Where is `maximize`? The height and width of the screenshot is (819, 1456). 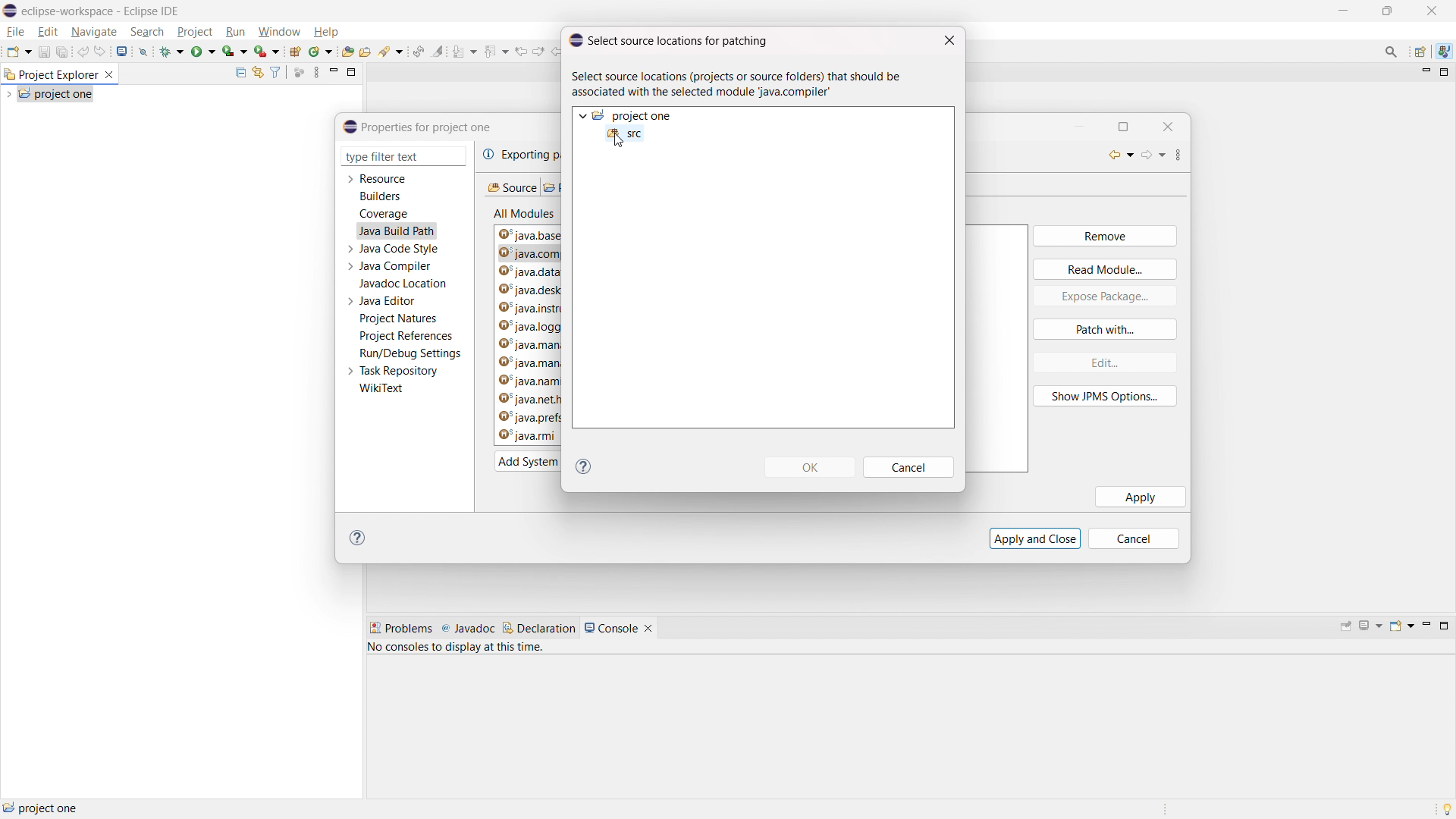
maximize is located at coordinates (352, 71).